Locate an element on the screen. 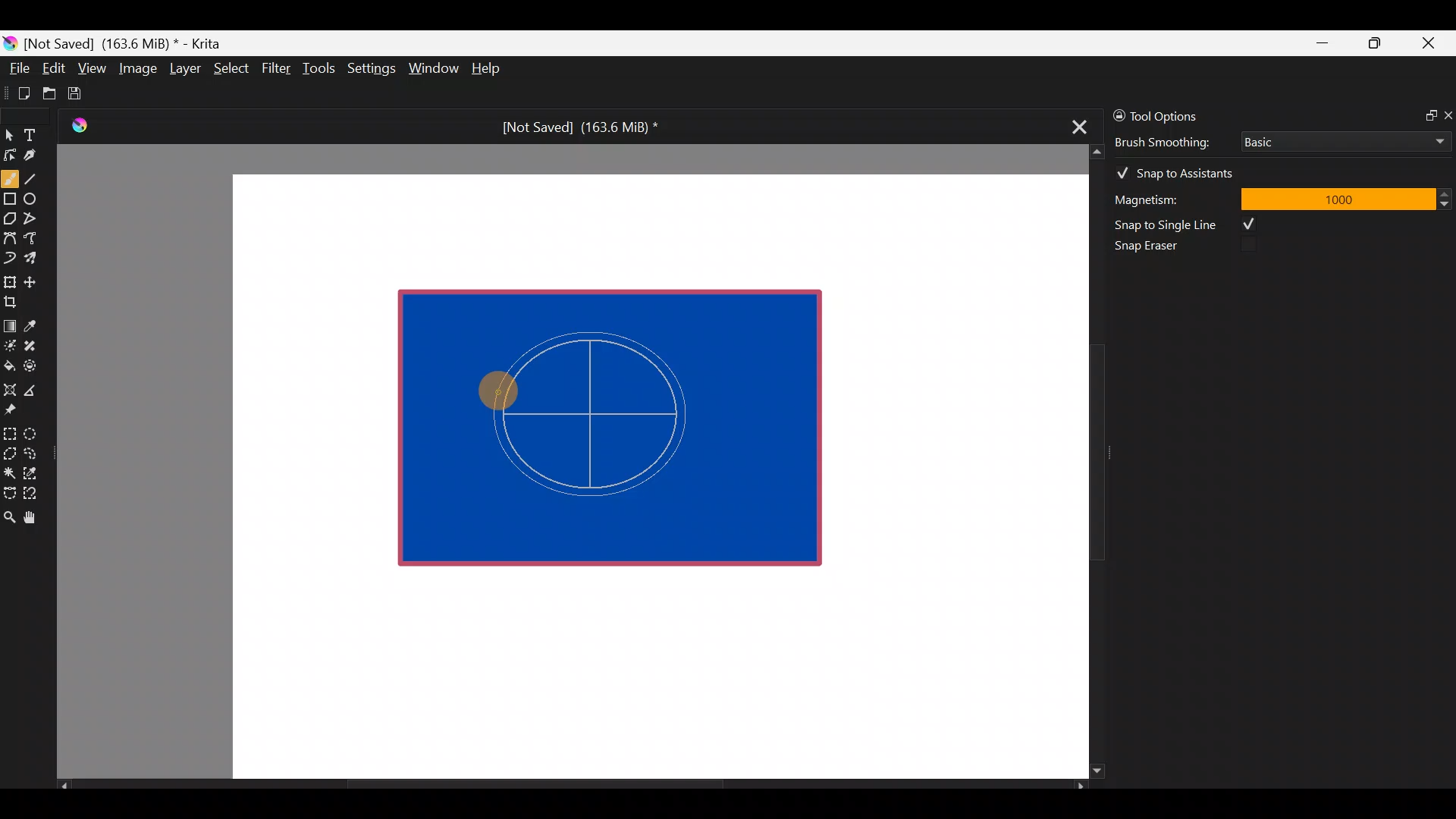 This screenshot has width=1456, height=819. Save is located at coordinates (85, 93).